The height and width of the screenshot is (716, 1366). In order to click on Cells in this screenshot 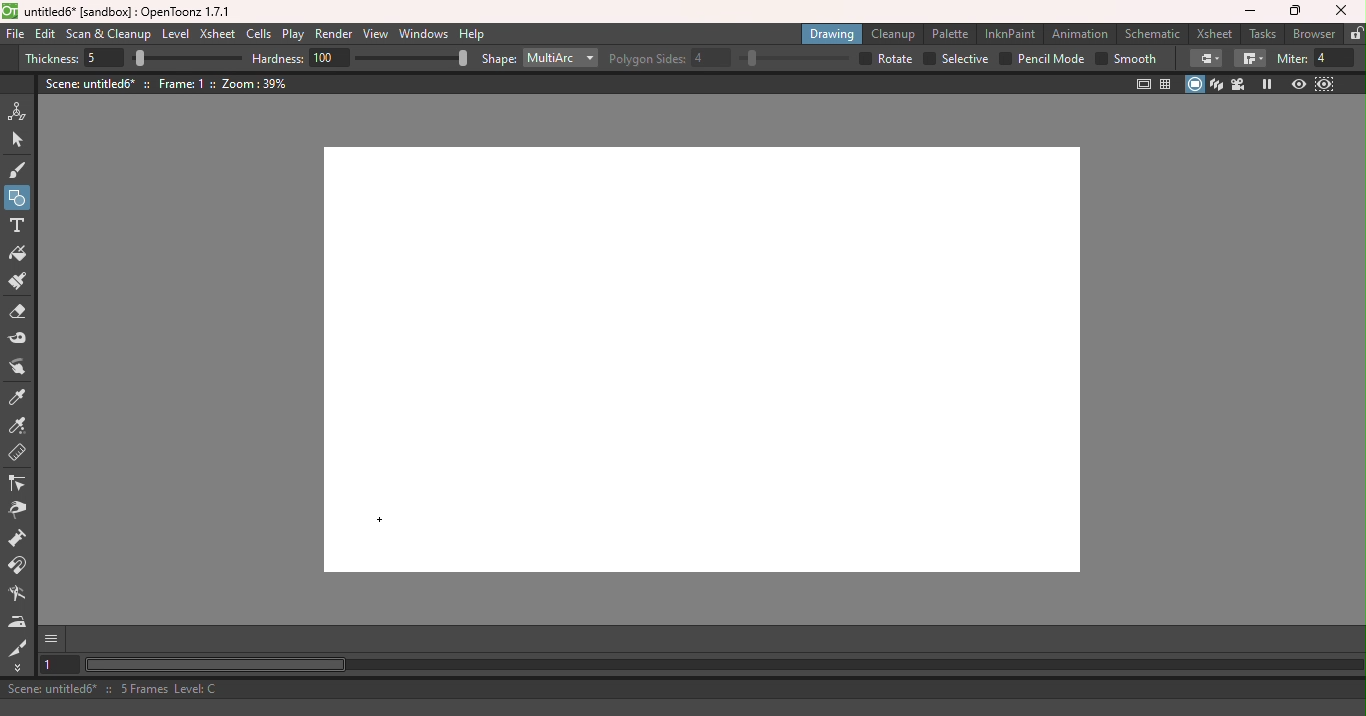, I will do `click(258, 35)`.